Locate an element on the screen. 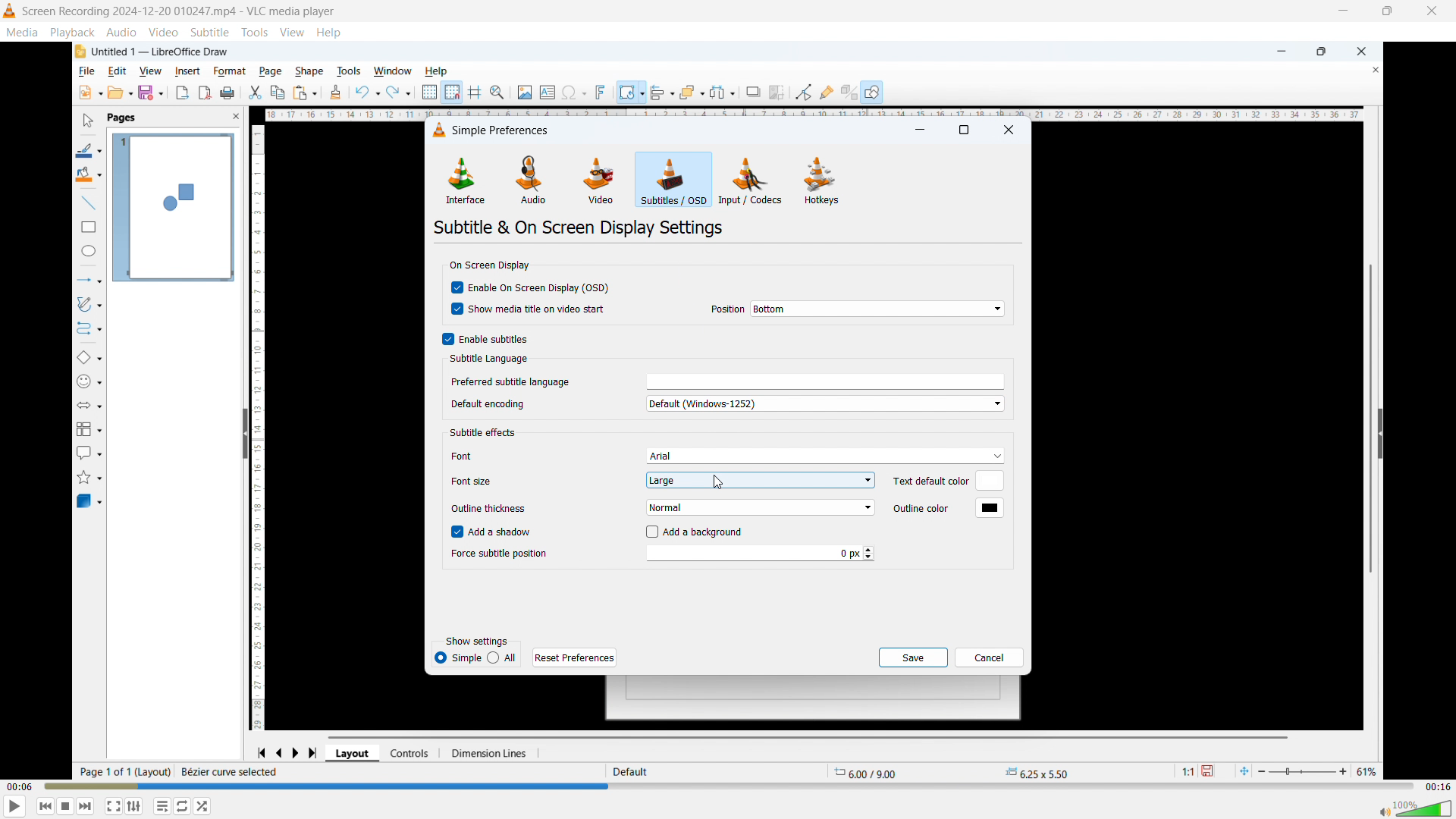 Image resolution: width=1456 pixels, height=819 pixels. Simple is located at coordinates (457, 660).